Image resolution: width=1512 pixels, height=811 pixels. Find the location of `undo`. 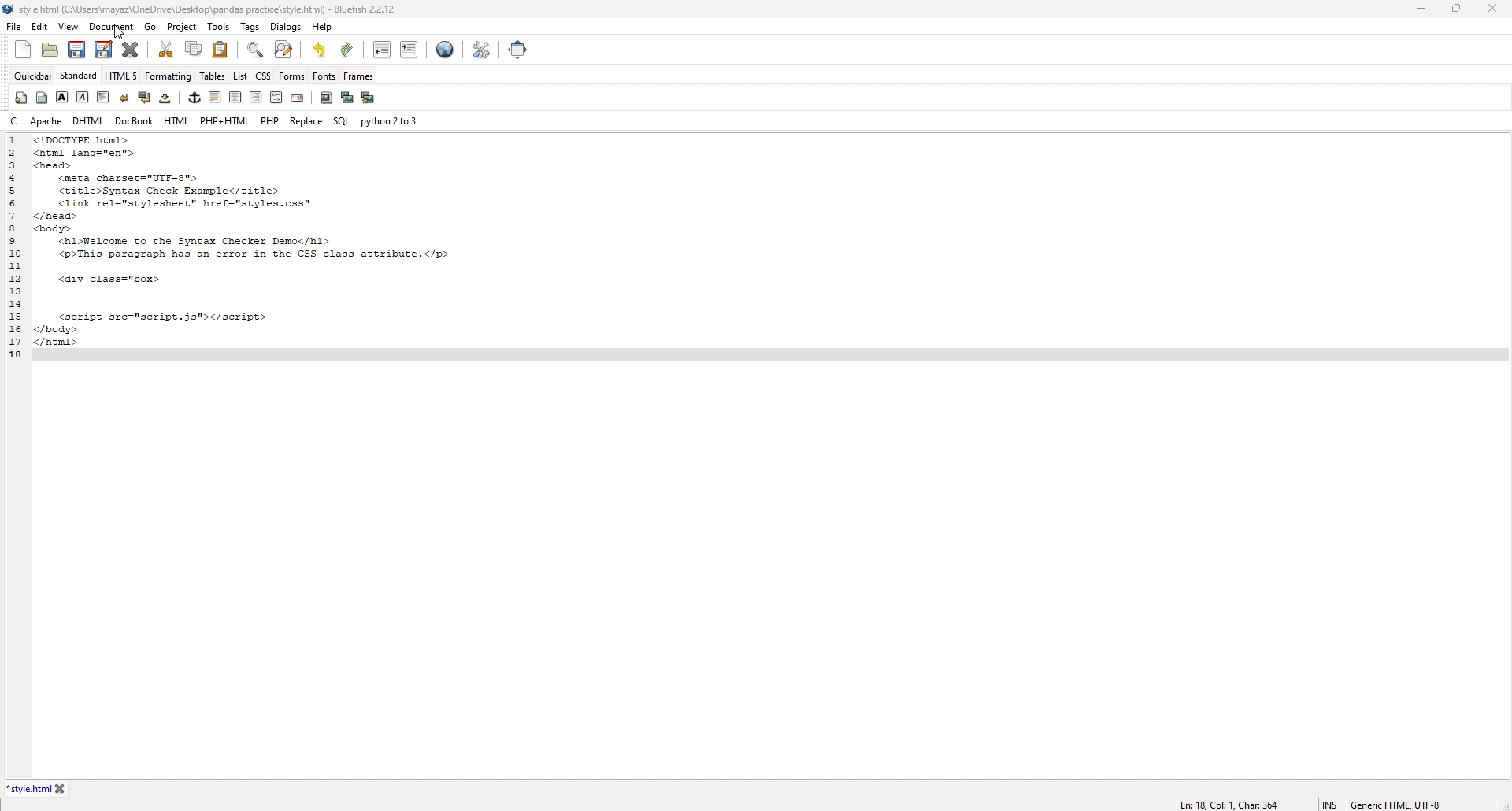

undo is located at coordinates (321, 50).